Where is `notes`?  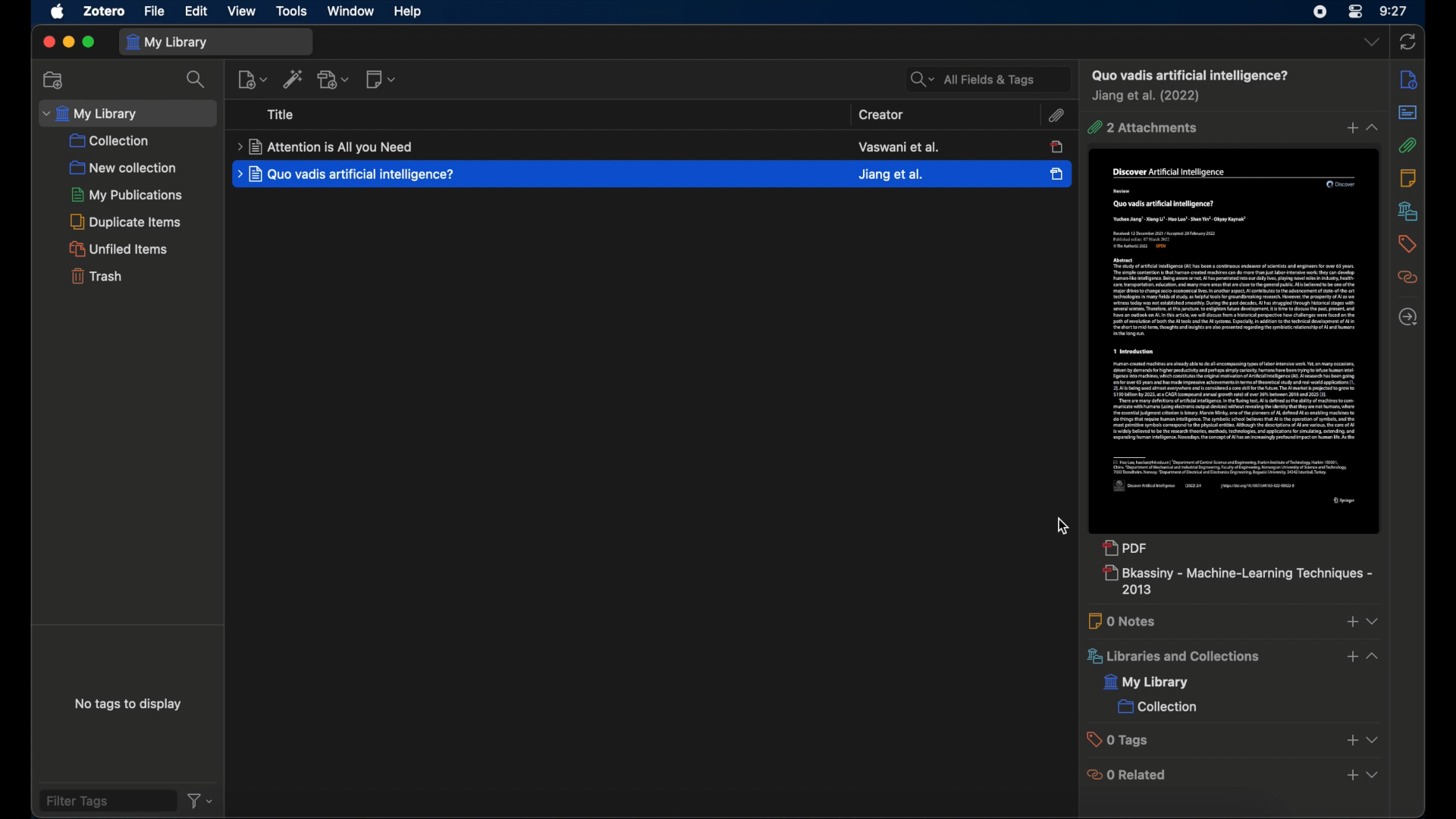
notes is located at coordinates (1408, 177).